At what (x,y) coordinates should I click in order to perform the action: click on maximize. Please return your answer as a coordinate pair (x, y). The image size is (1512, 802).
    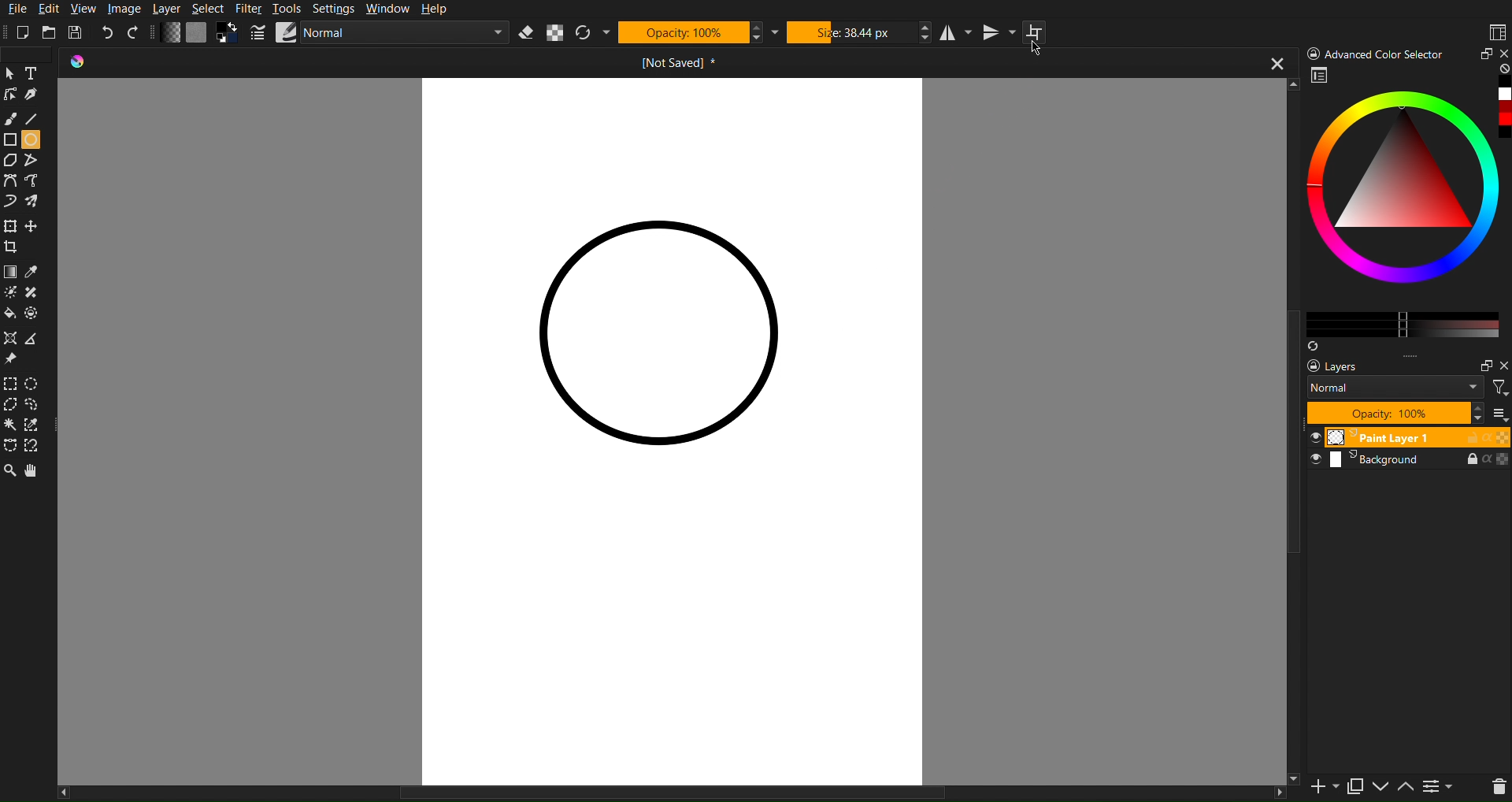
    Looking at the image, I should click on (1482, 366).